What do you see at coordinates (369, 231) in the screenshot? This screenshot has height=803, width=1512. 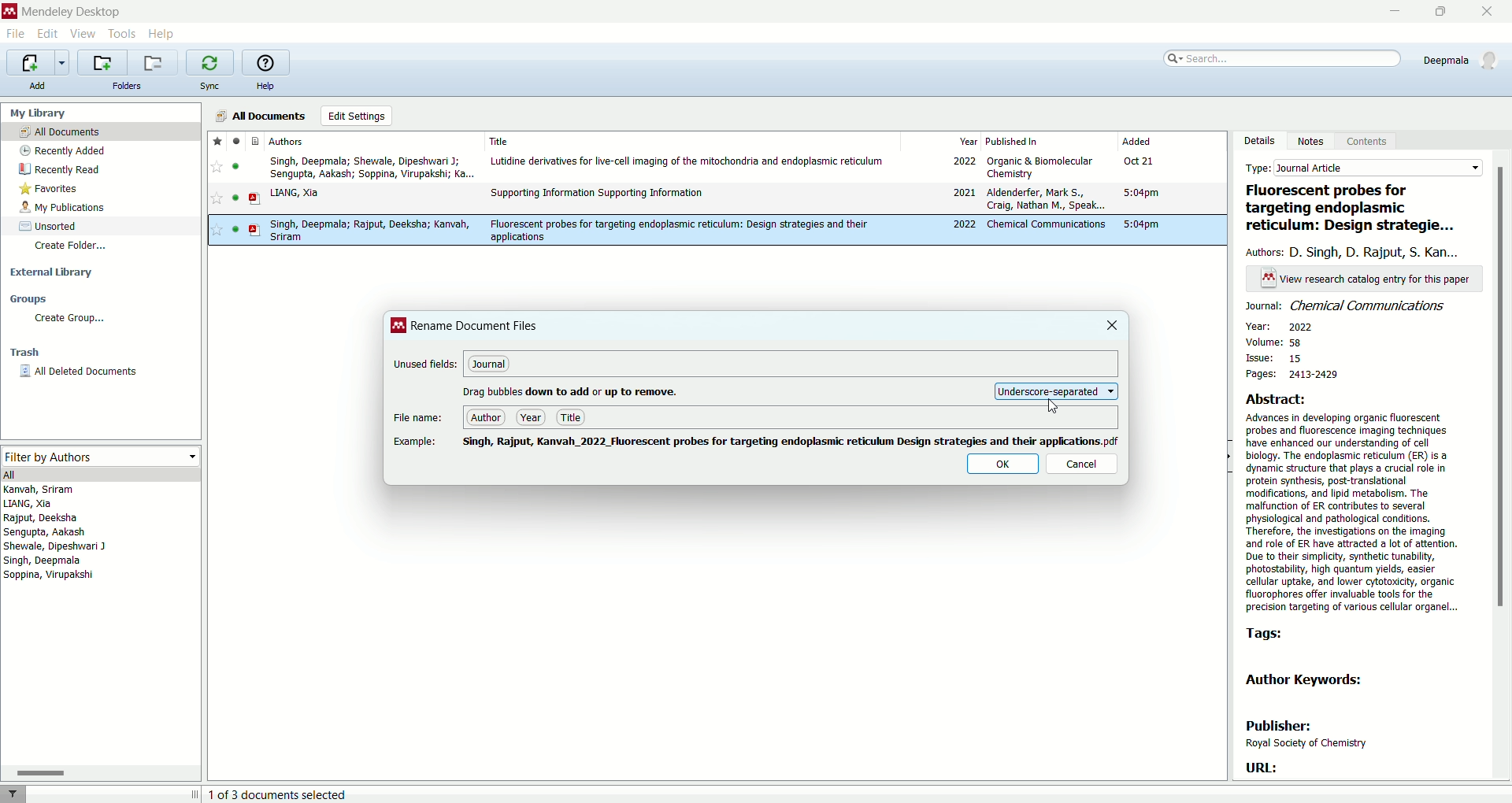 I see `Singh, Deepmala; Rajput, Deeksha; Kanvah,
Sriram` at bounding box center [369, 231].